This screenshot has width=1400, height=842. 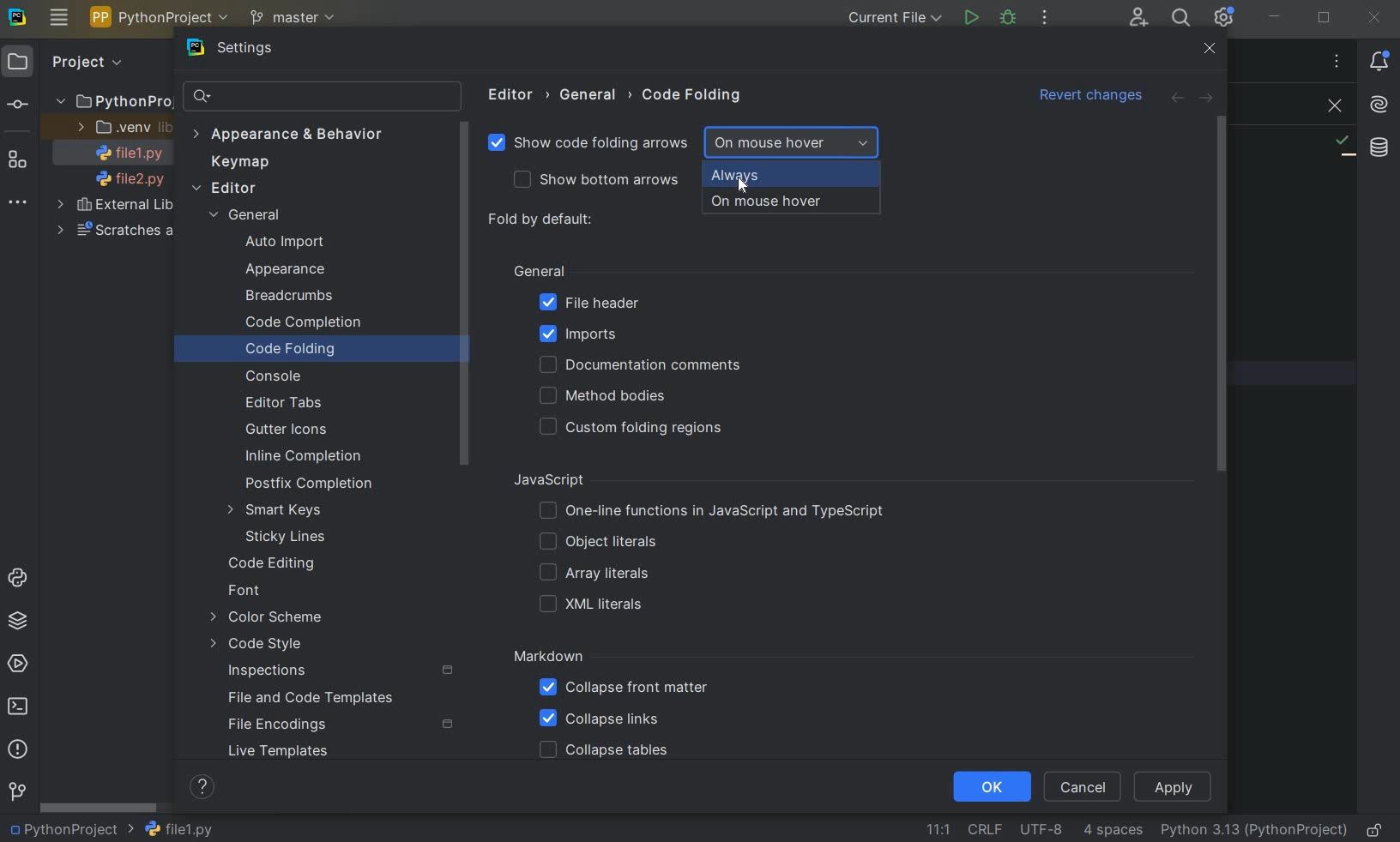 What do you see at coordinates (204, 786) in the screenshot?
I see `HELP` at bounding box center [204, 786].